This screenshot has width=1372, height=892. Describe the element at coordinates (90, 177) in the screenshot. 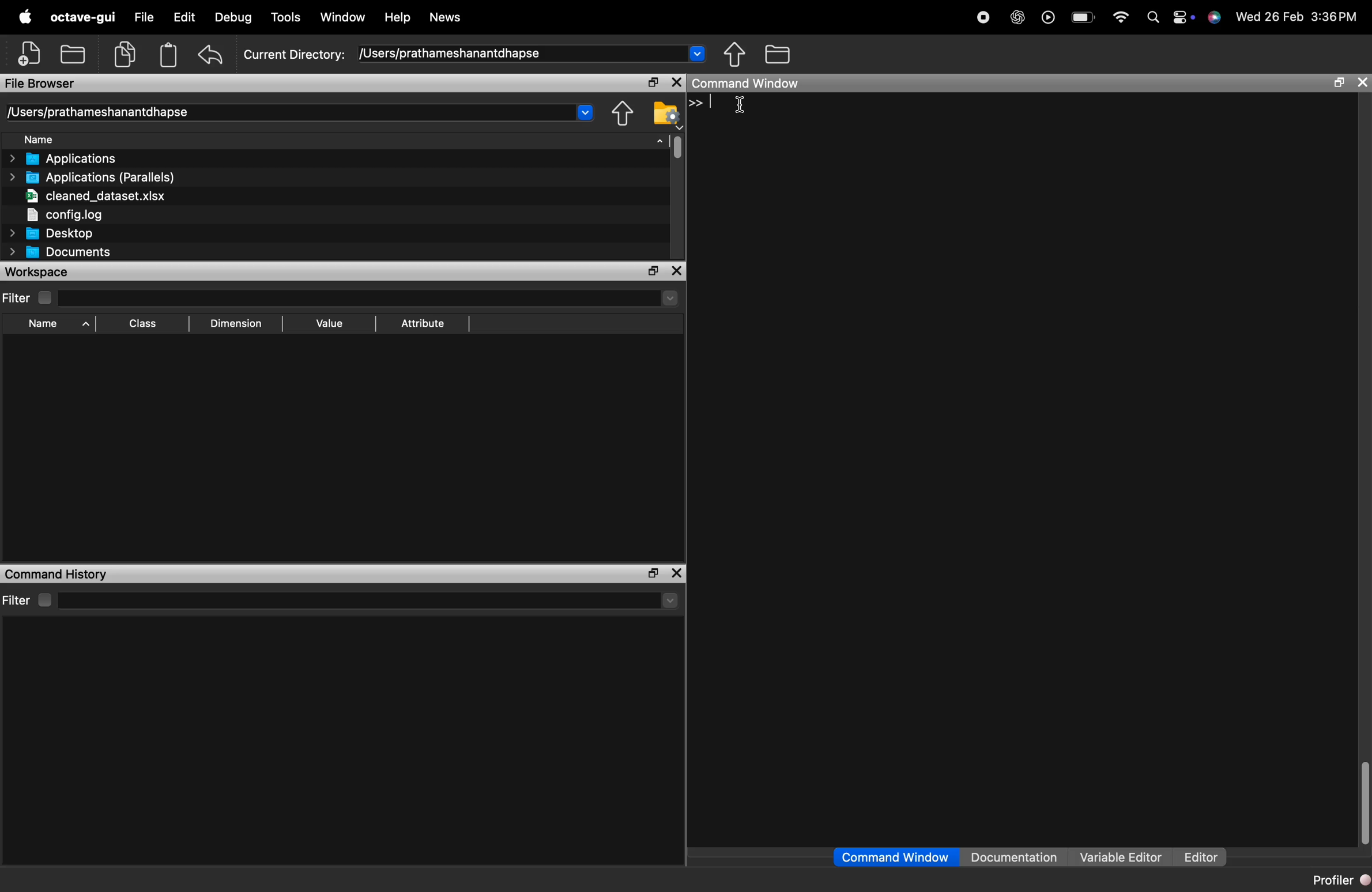

I see `Applications (Parallels)` at that location.